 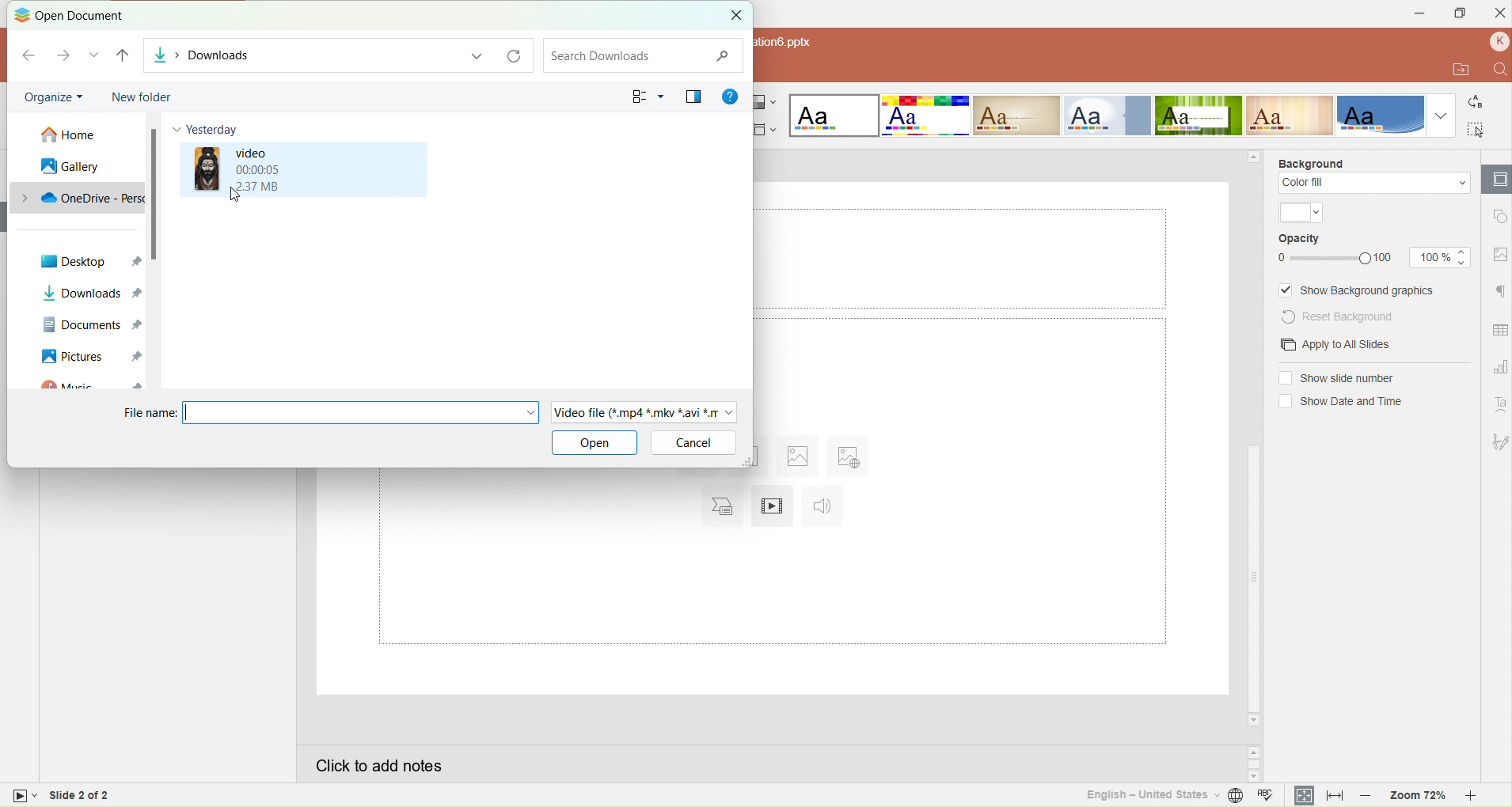 I want to click on Organize, so click(x=48, y=97).